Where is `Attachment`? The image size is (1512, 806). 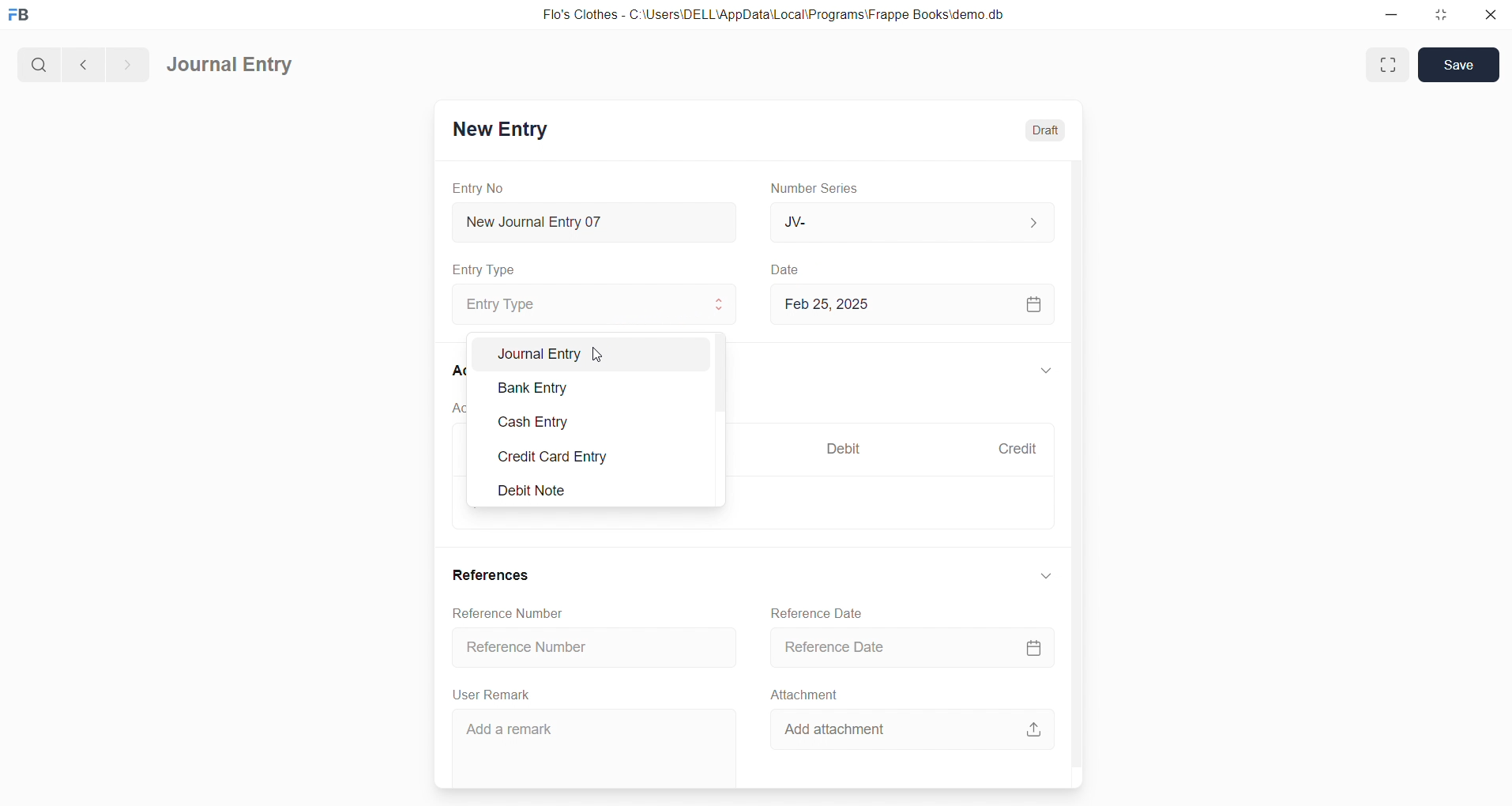
Attachment is located at coordinates (805, 694).